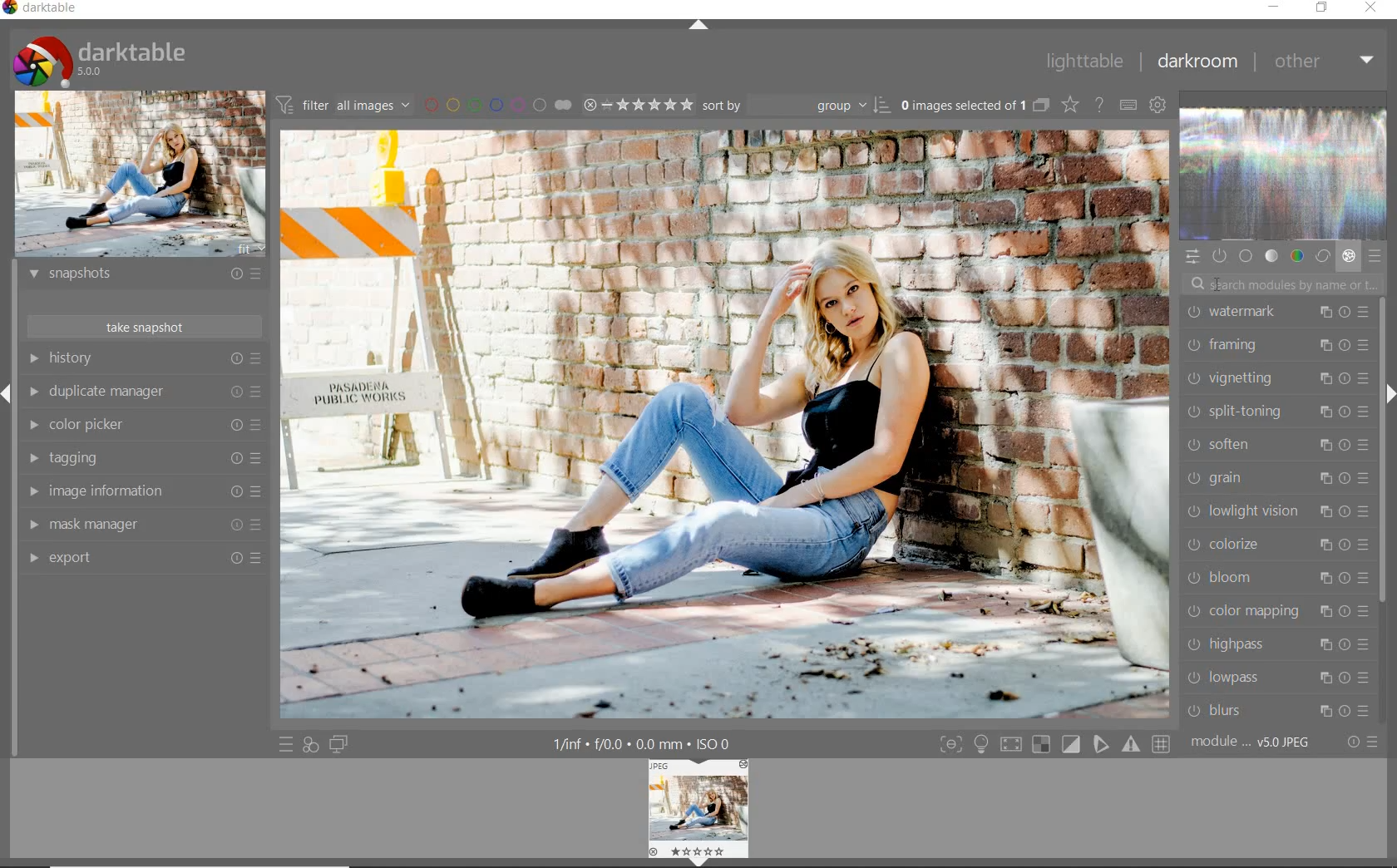  What do you see at coordinates (1069, 104) in the screenshot?
I see `change overlays shown on thumbnails` at bounding box center [1069, 104].